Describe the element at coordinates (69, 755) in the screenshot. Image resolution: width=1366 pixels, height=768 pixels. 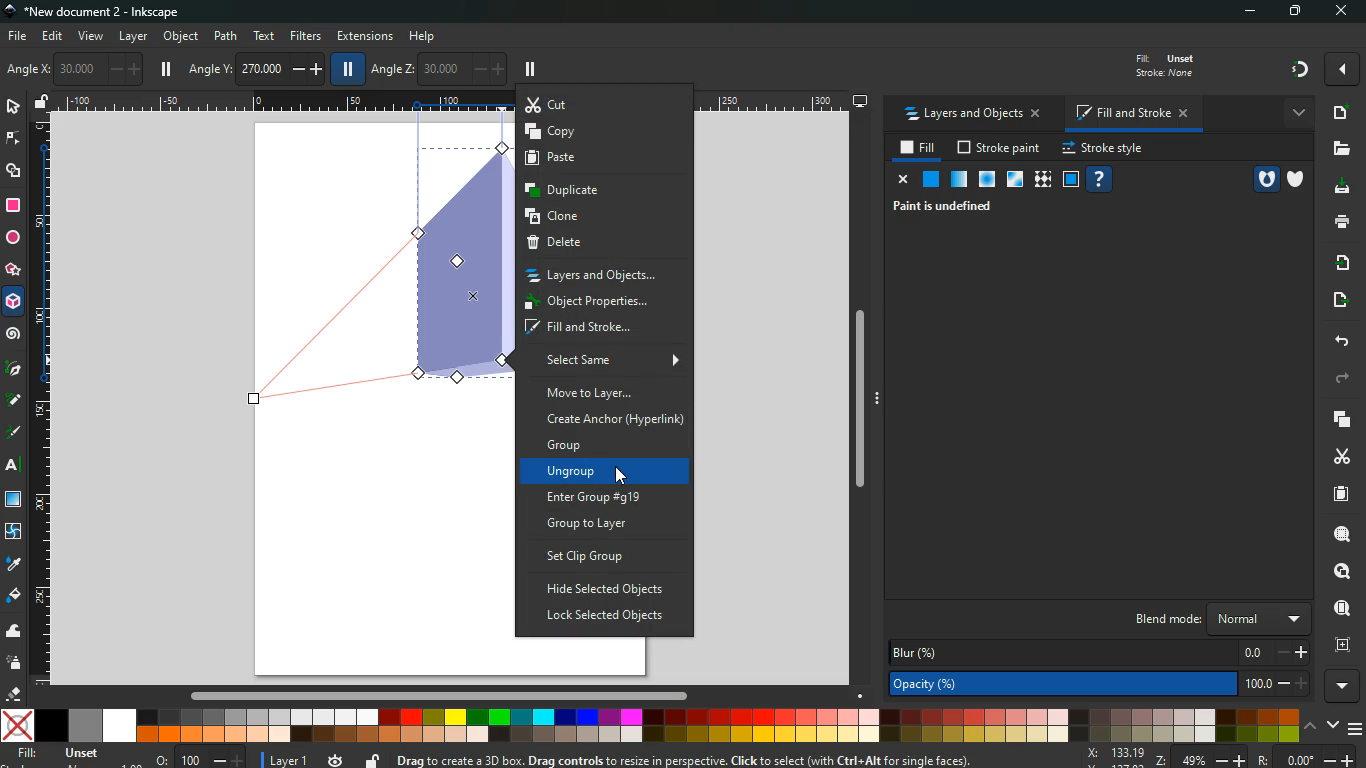
I see `fill` at that location.